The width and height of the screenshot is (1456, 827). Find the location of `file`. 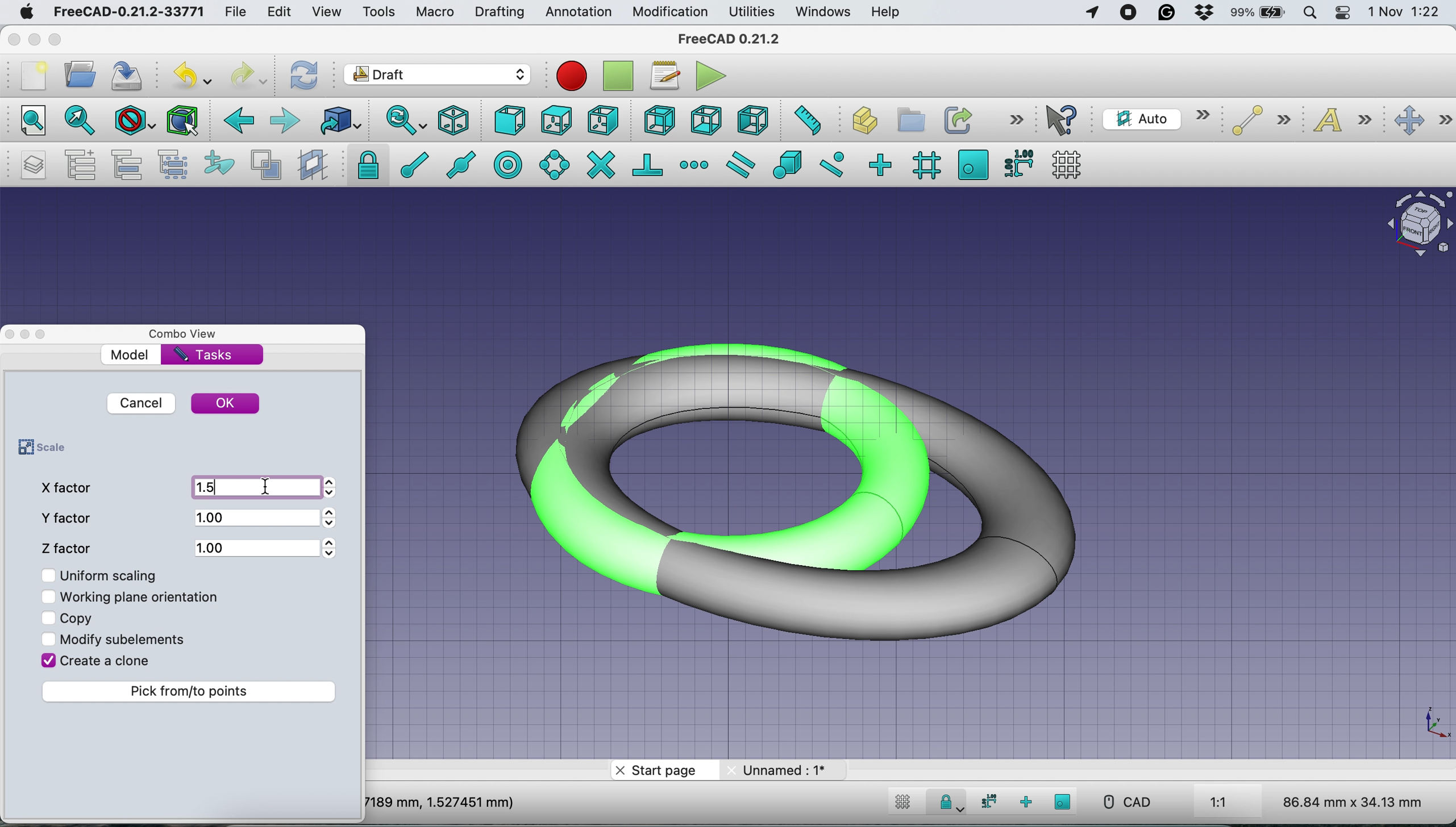

file is located at coordinates (240, 12).